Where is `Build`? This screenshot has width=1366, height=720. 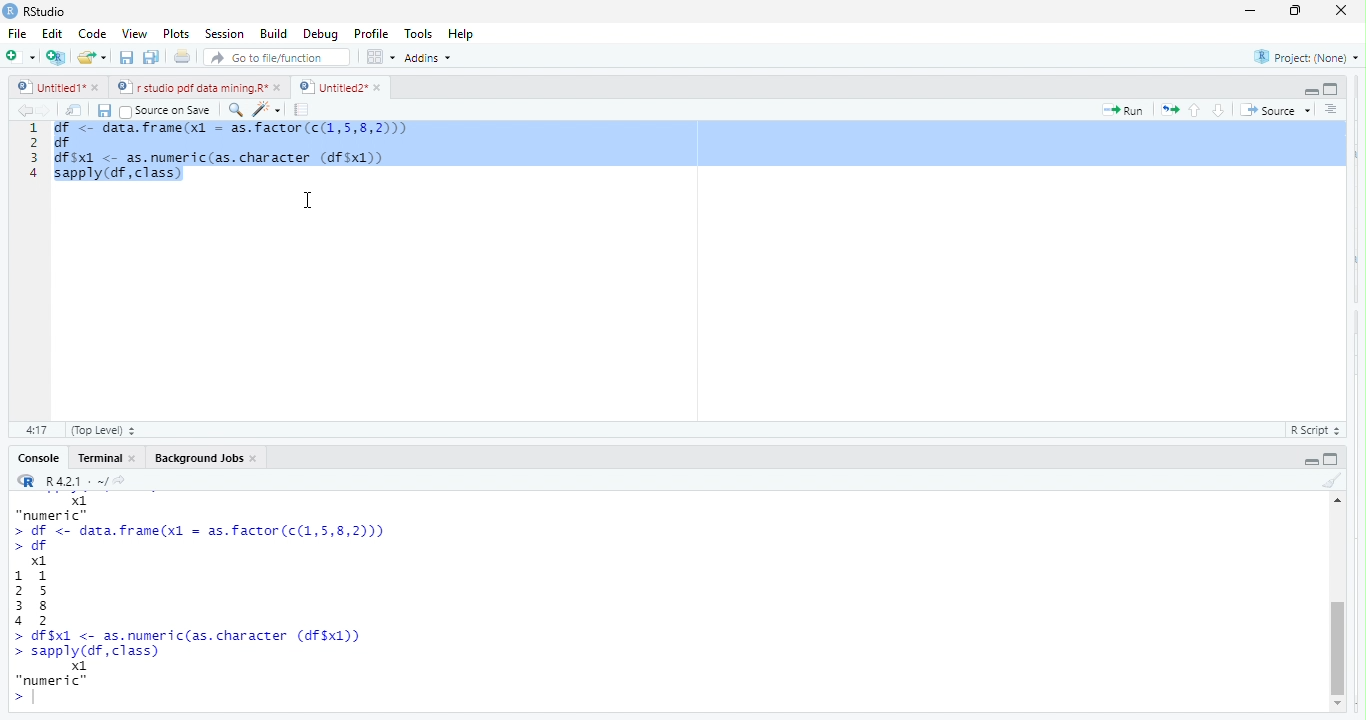 Build is located at coordinates (274, 34).